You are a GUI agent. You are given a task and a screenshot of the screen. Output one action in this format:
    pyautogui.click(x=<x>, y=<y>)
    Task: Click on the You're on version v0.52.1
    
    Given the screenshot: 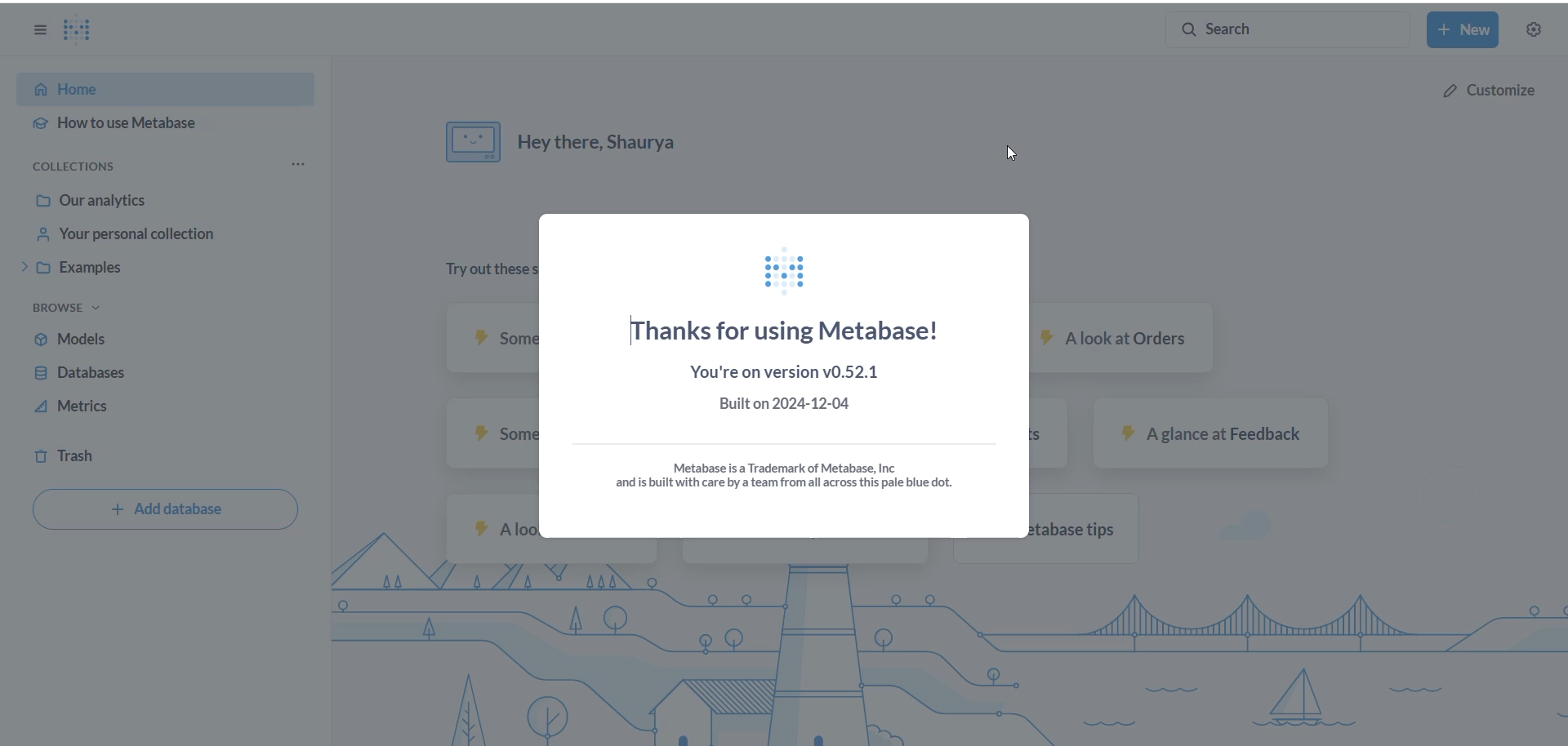 What is the action you would take?
    pyautogui.click(x=786, y=370)
    